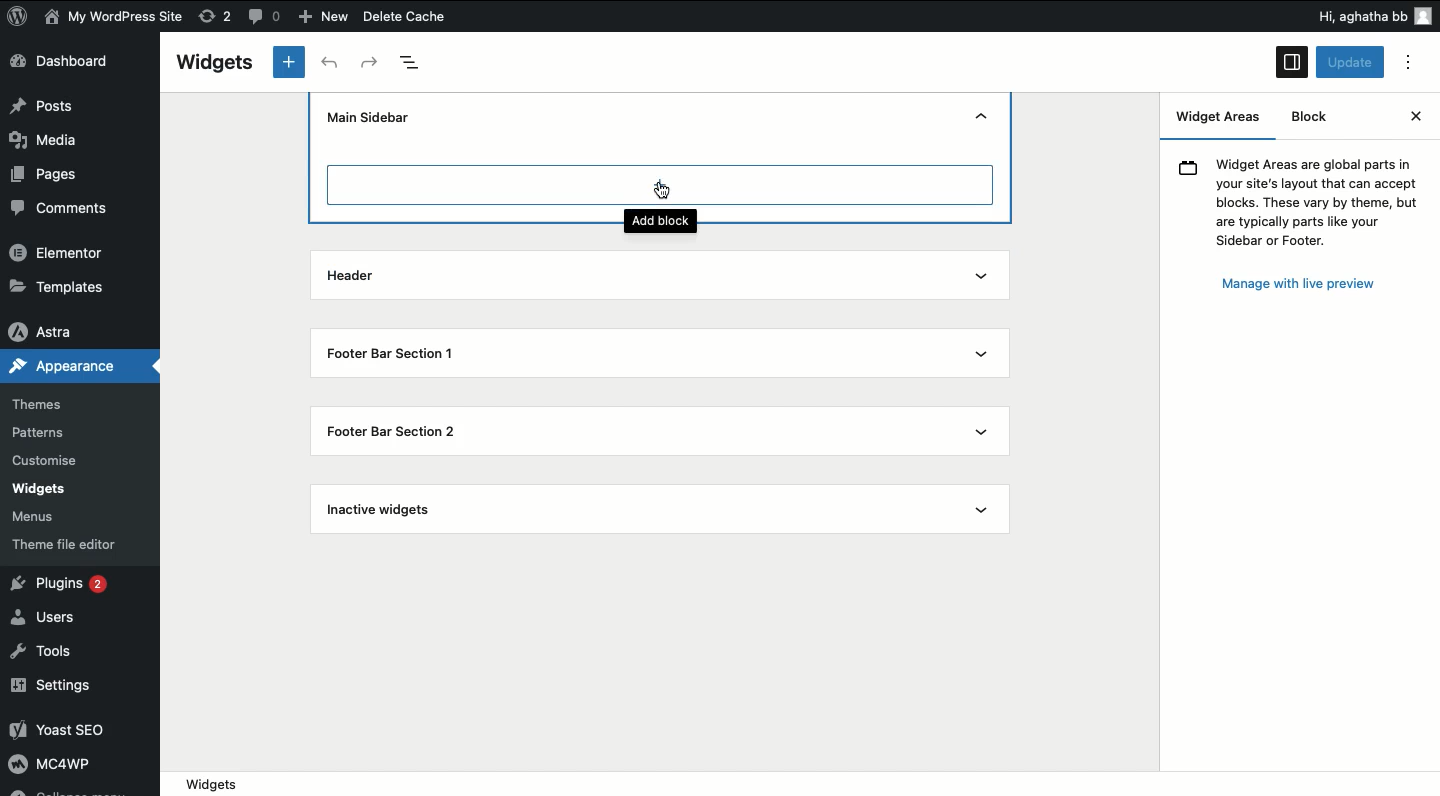  I want to click on Sidebar, so click(1292, 62).